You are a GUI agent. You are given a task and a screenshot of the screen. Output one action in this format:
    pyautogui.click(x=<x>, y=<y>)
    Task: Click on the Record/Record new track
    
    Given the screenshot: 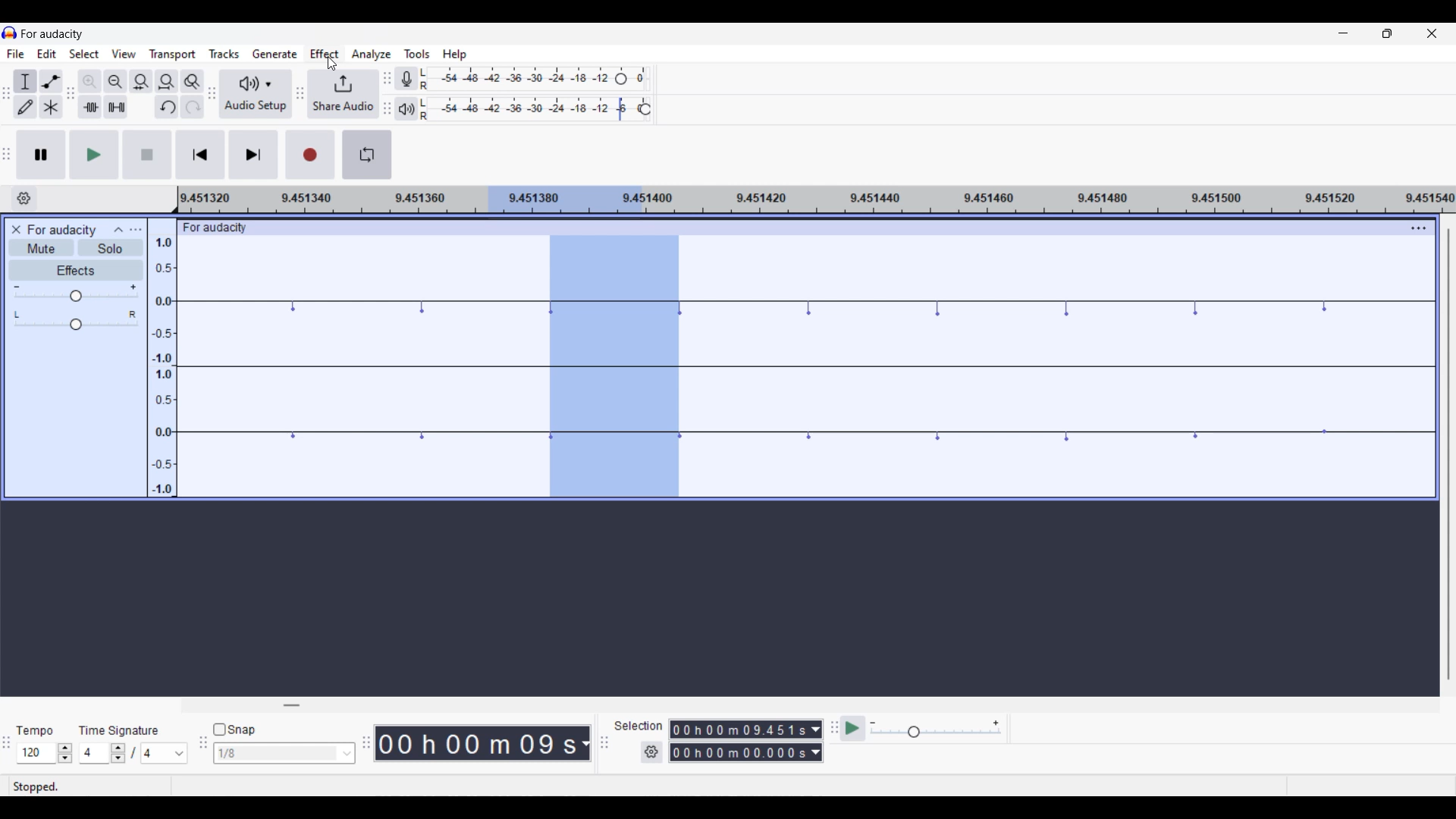 What is the action you would take?
    pyautogui.click(x=311, y=155)
    